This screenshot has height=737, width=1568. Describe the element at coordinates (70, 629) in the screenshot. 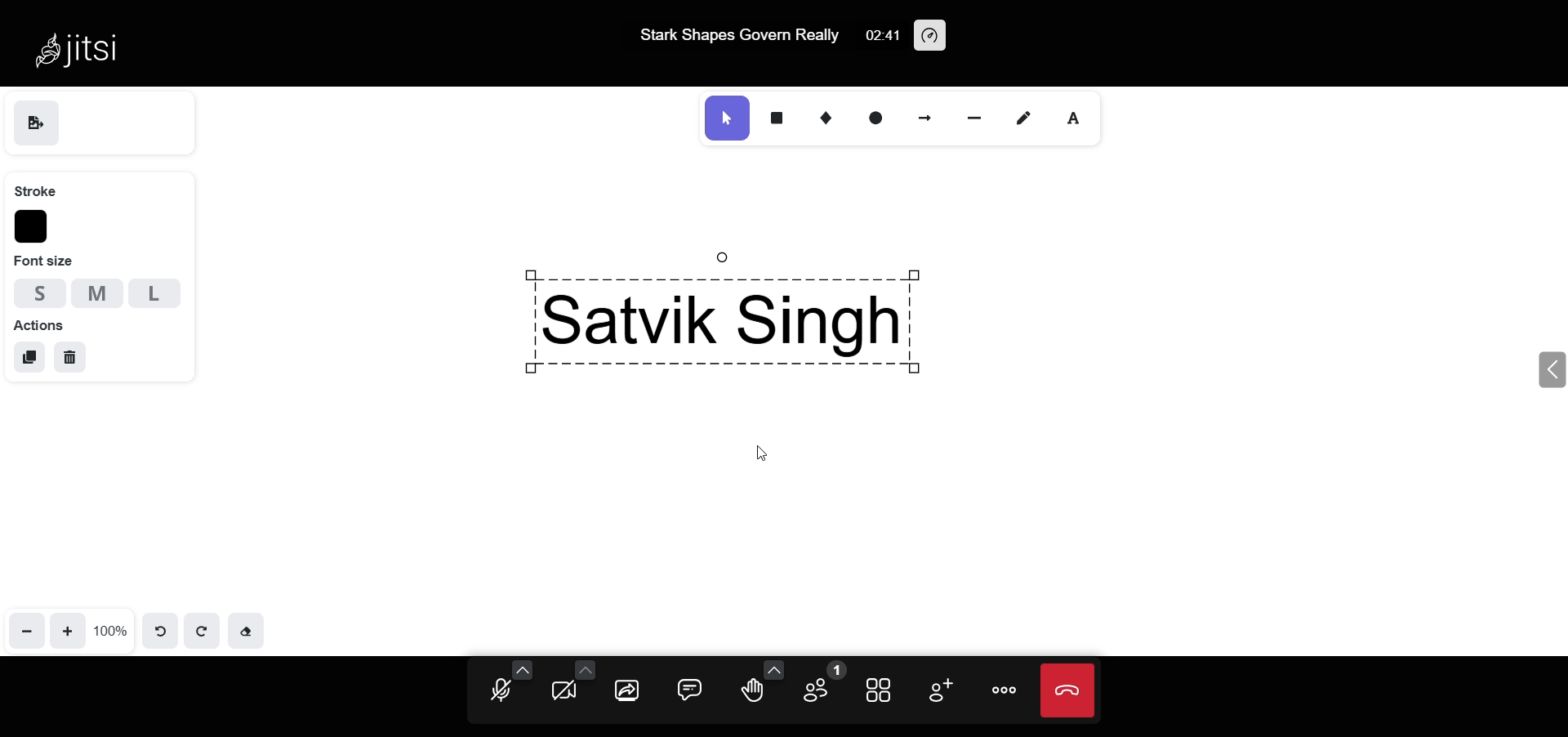

I see `zoom in` at that location.